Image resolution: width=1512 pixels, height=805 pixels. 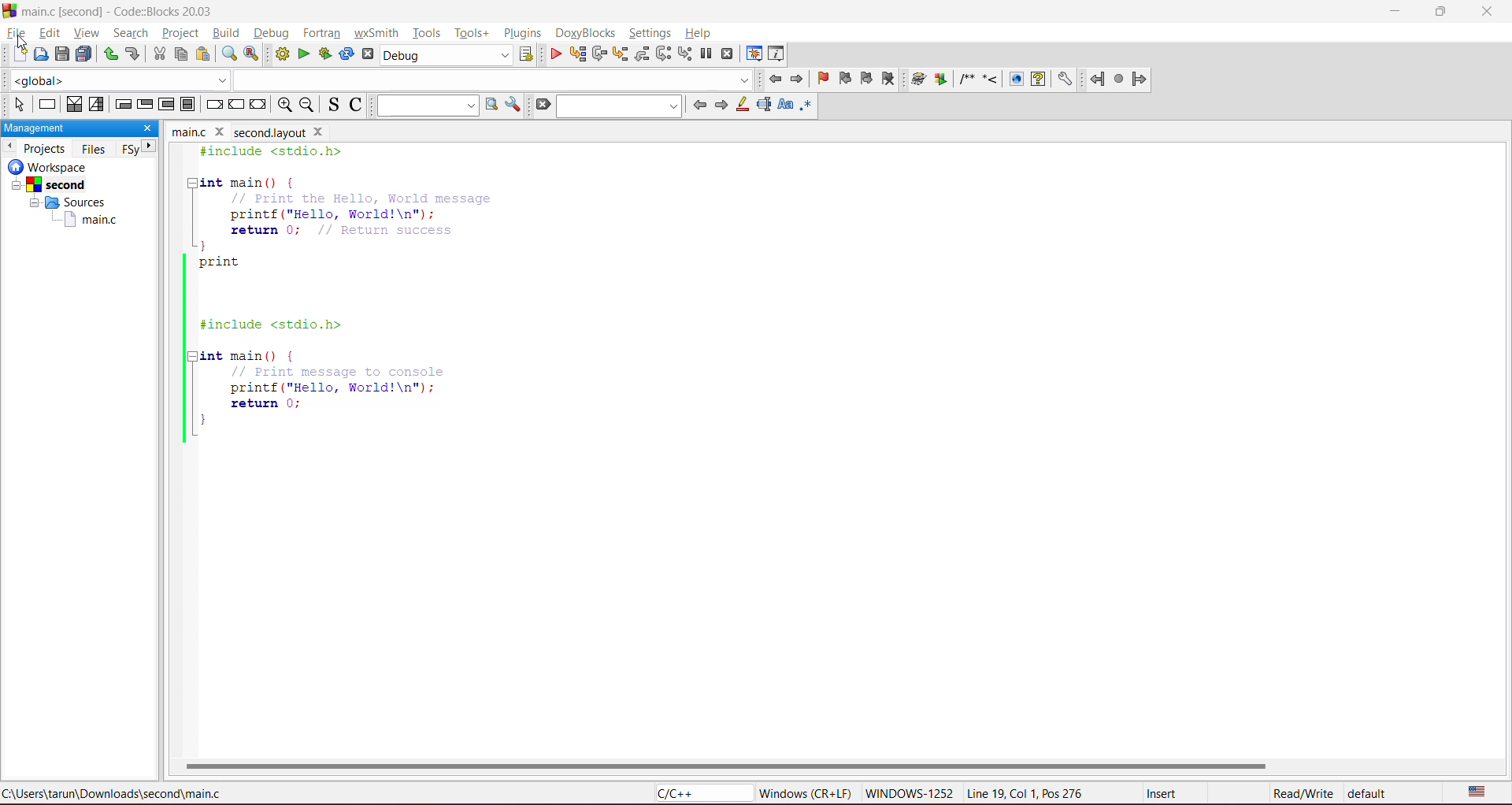 I want to click on text language, so click(x=1477, y=793).